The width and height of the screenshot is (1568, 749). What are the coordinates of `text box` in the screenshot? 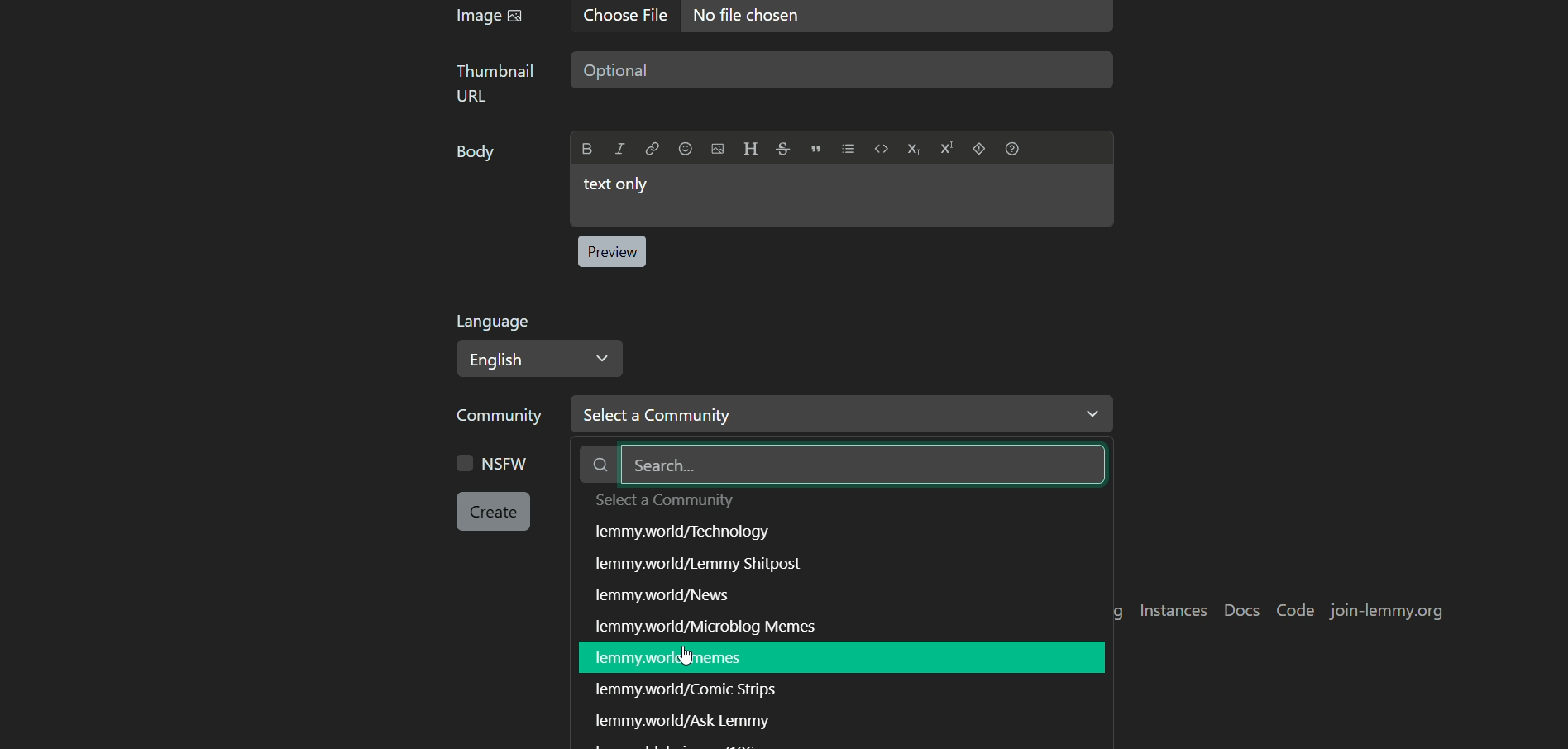 It's located at (844, 196).